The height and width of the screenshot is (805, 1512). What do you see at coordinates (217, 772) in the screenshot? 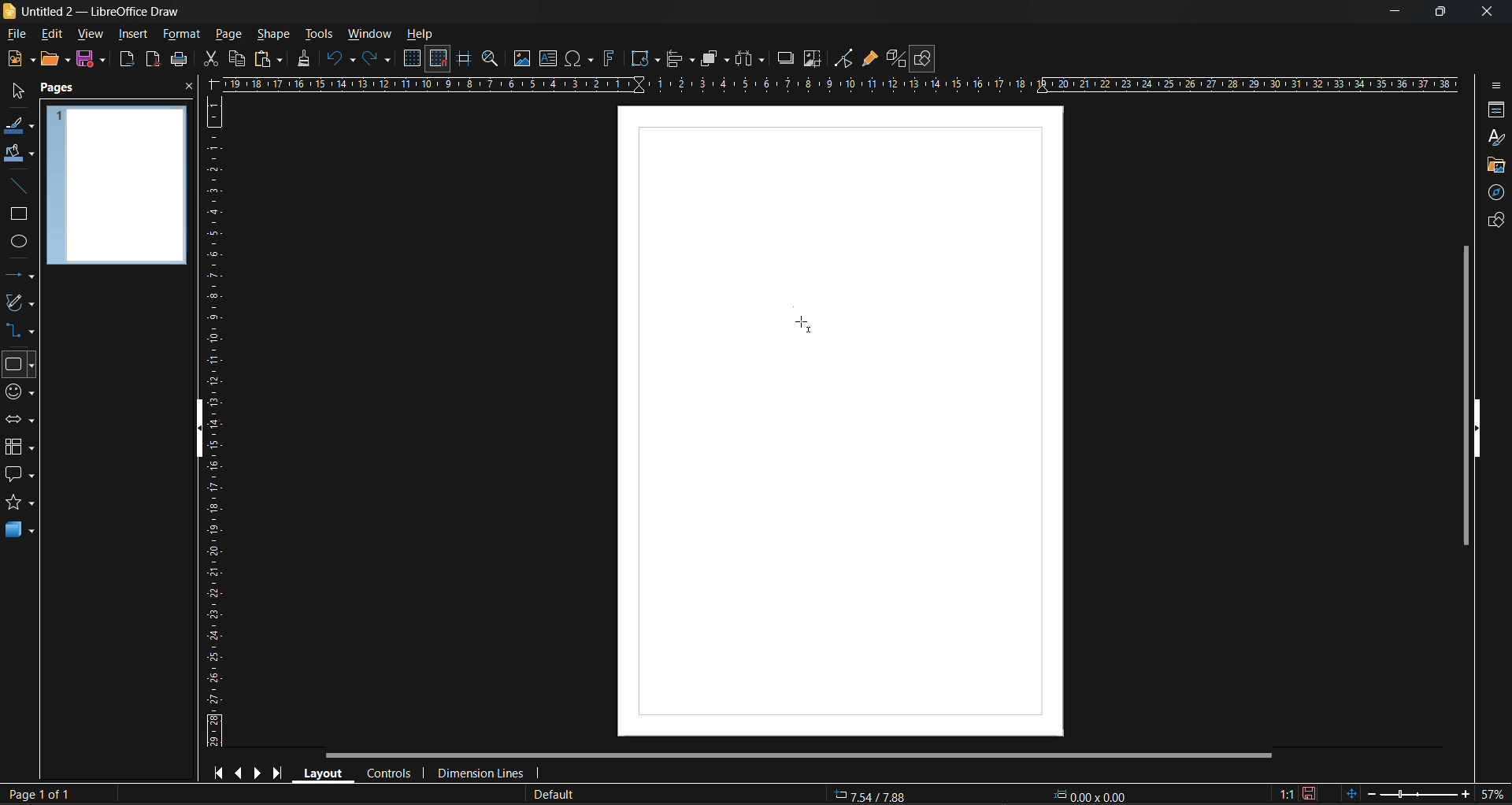
I see `first` at bounding box center [217, 772].